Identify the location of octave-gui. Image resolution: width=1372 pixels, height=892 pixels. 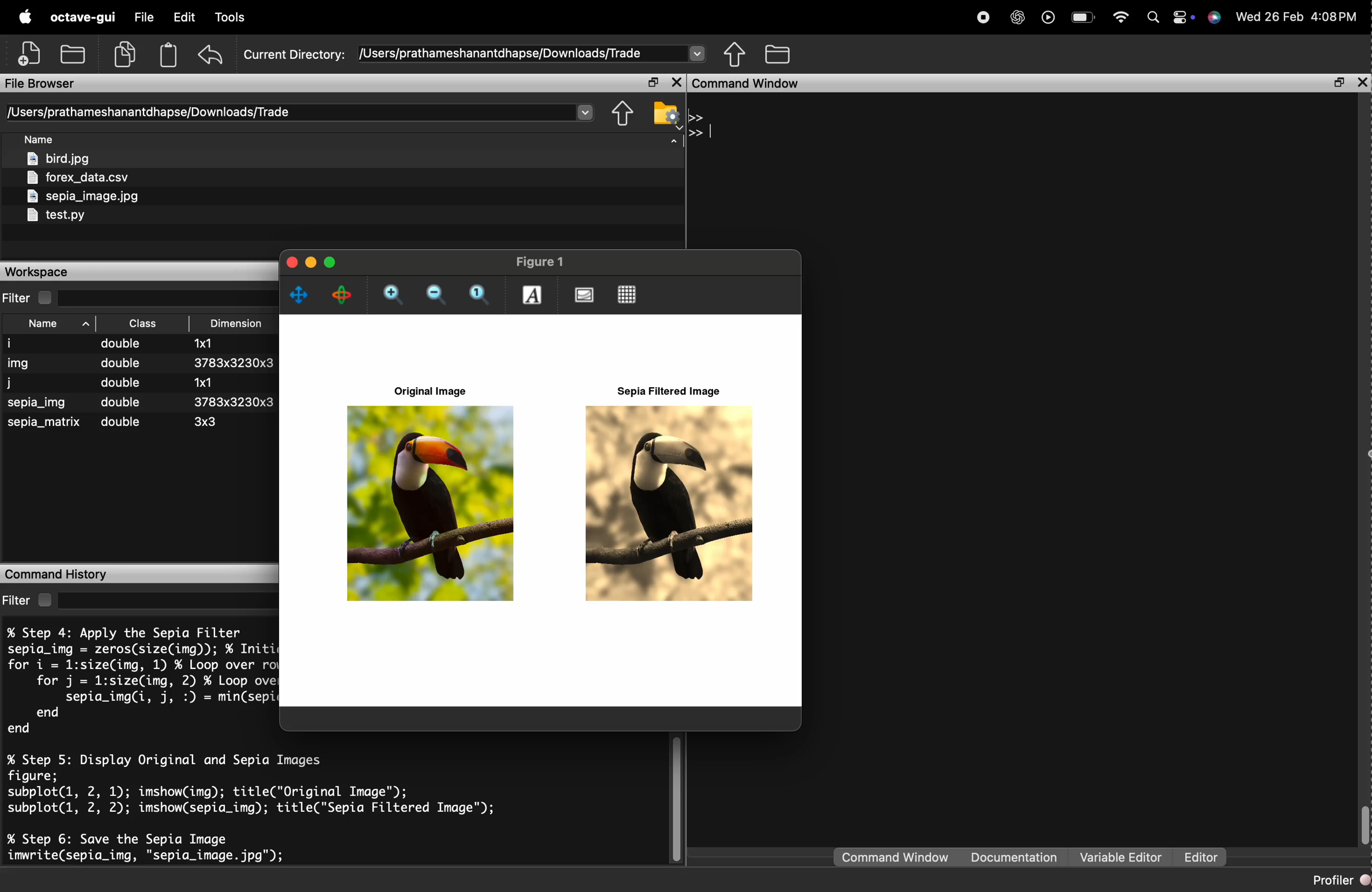
(84, 18).